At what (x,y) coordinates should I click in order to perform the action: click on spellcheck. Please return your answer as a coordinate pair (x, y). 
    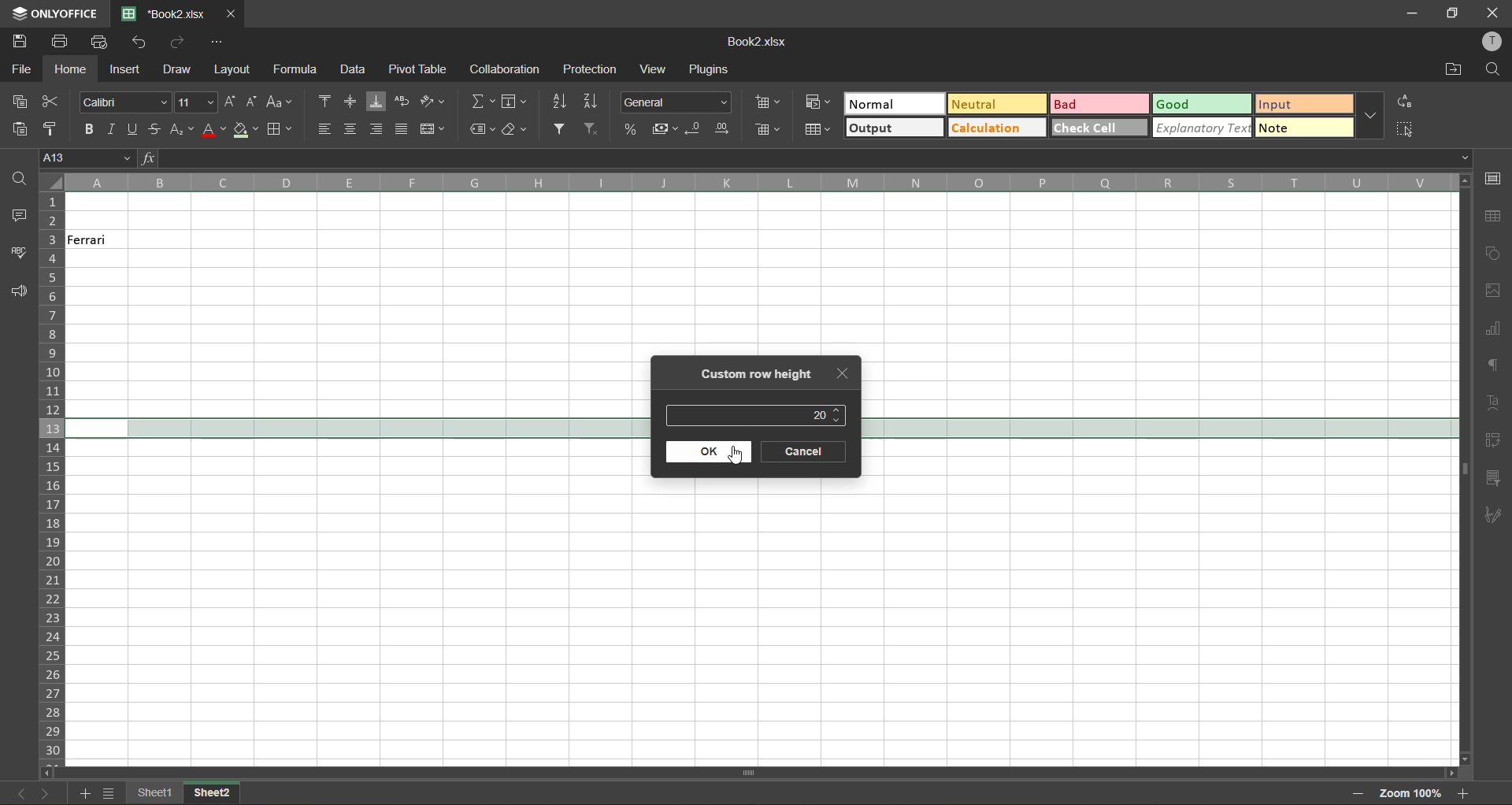
    Looking at the image, I should click on (19, 254).